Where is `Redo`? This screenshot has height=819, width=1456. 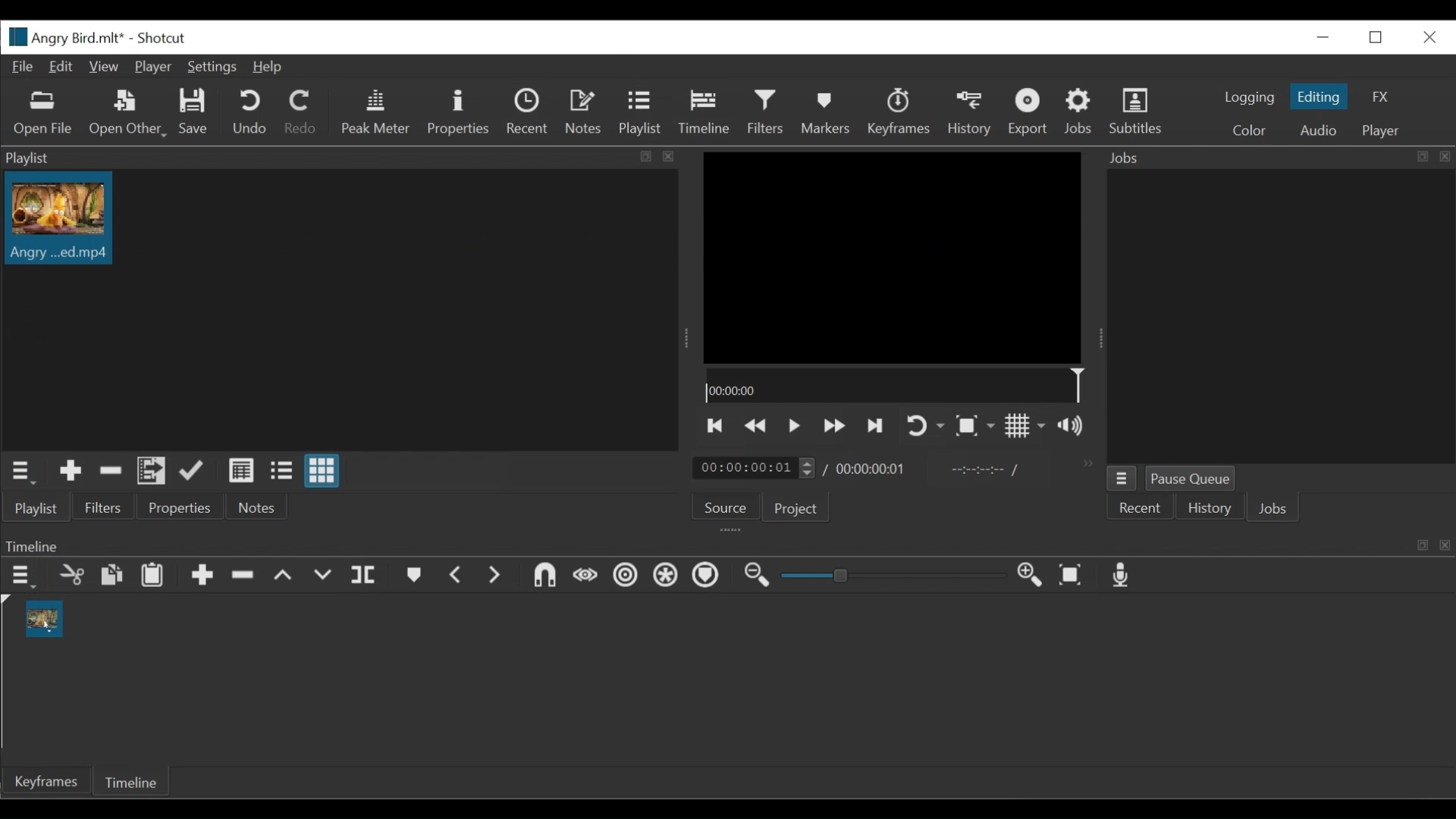
Redo is located at coordinates (301, 113).